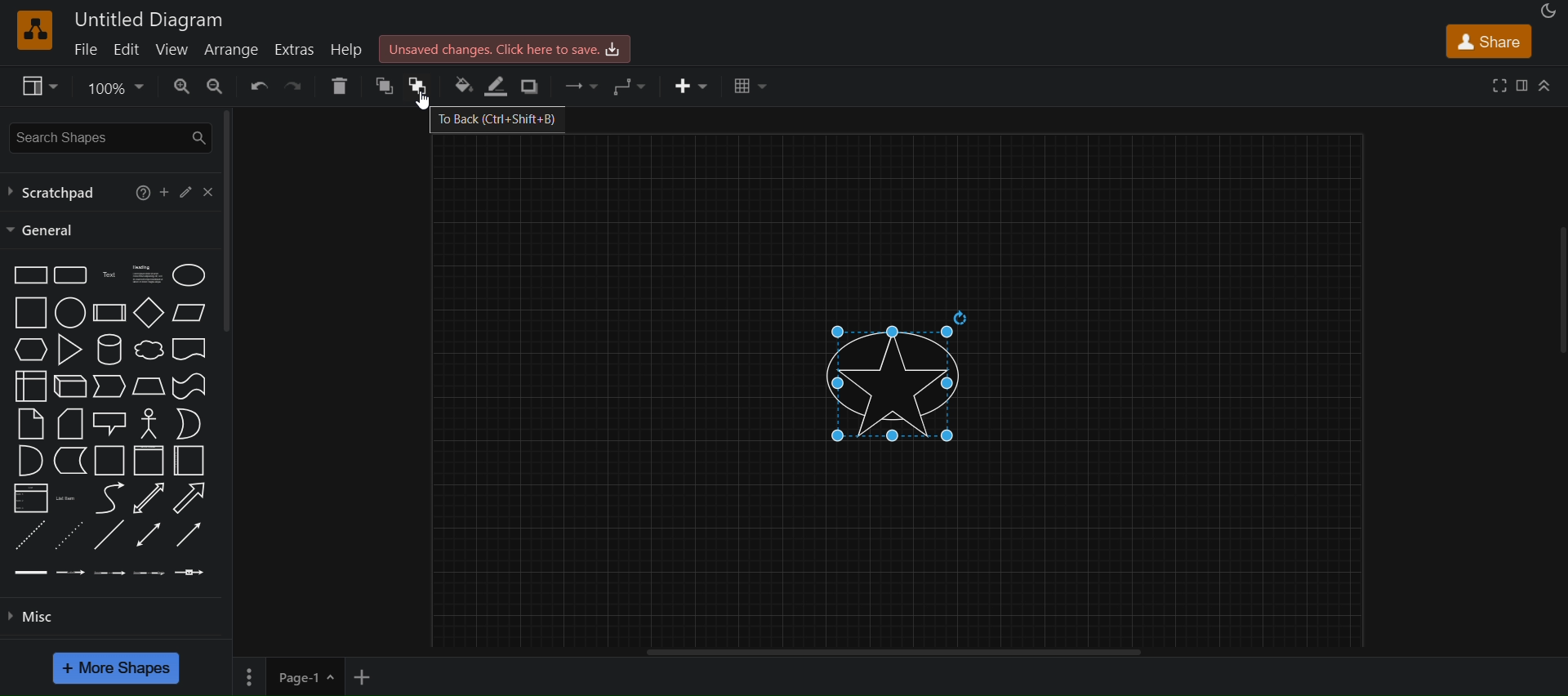 The image size is (1568, 696). What do you see at coordinates (109, 274) in the screenshot?
I see `text` at bounding box center [109, 274].